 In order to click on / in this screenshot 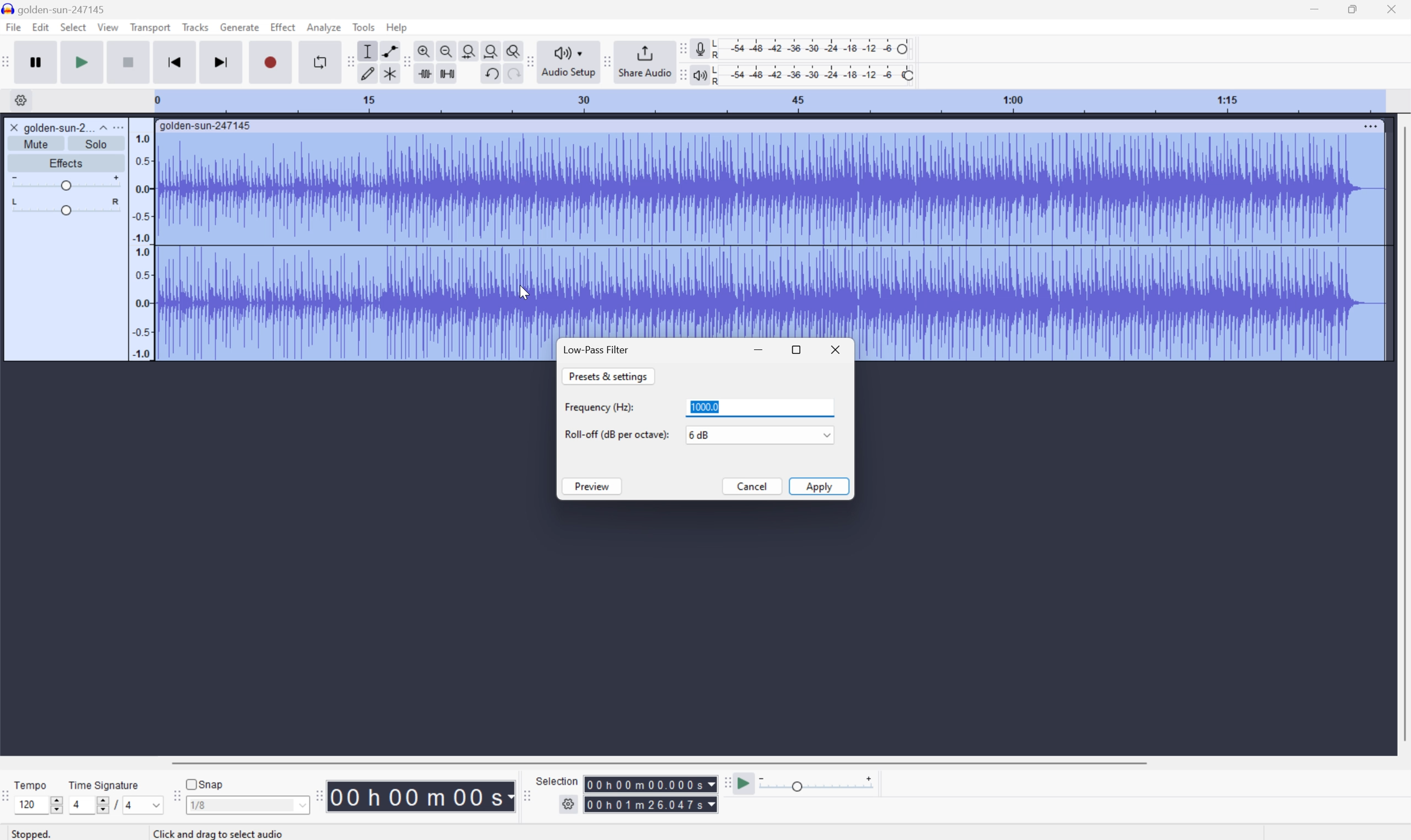, I will do `click(115, 804)`.